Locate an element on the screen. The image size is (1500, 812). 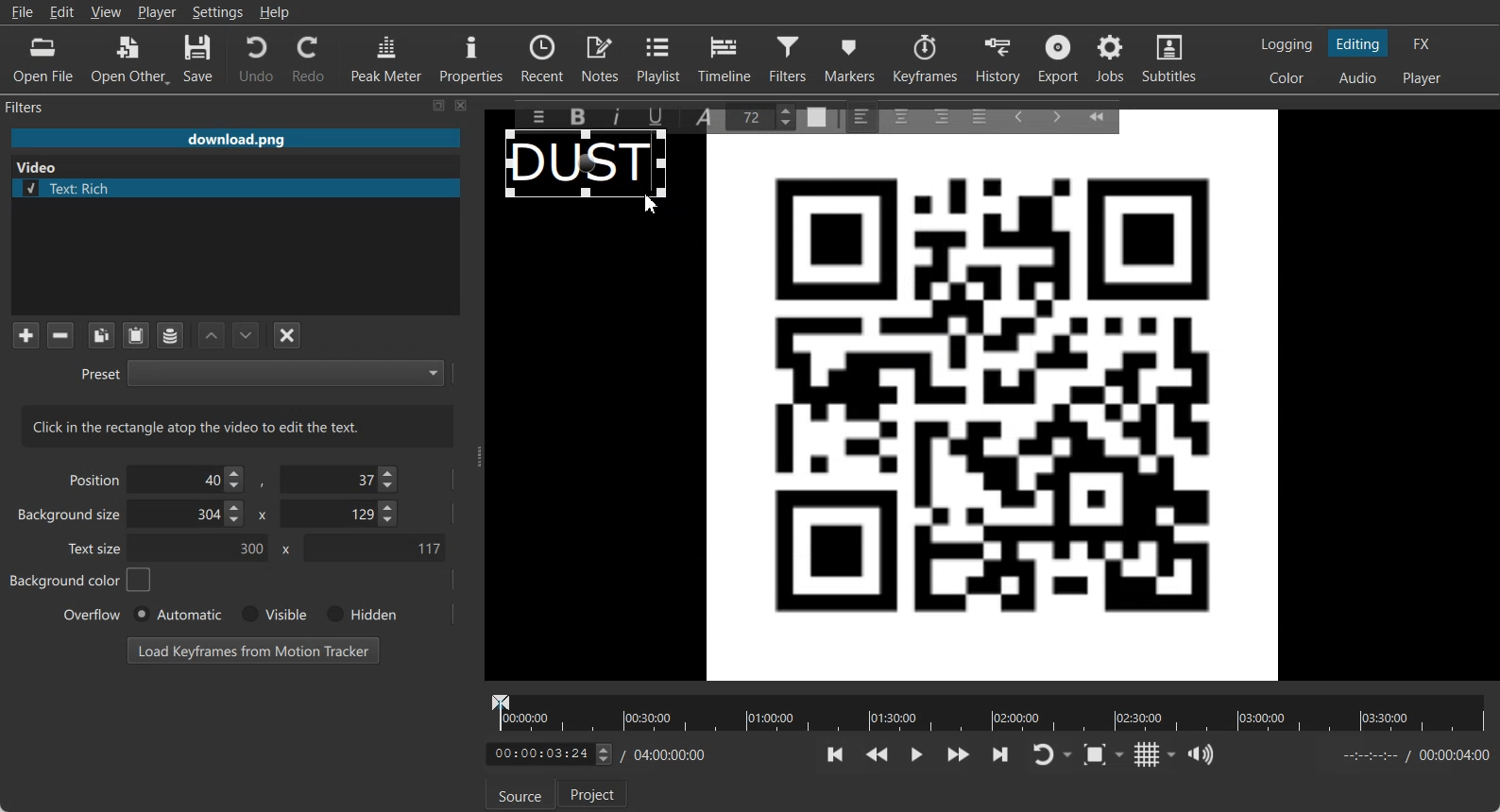
Visible is located at coordinates (272, 615).